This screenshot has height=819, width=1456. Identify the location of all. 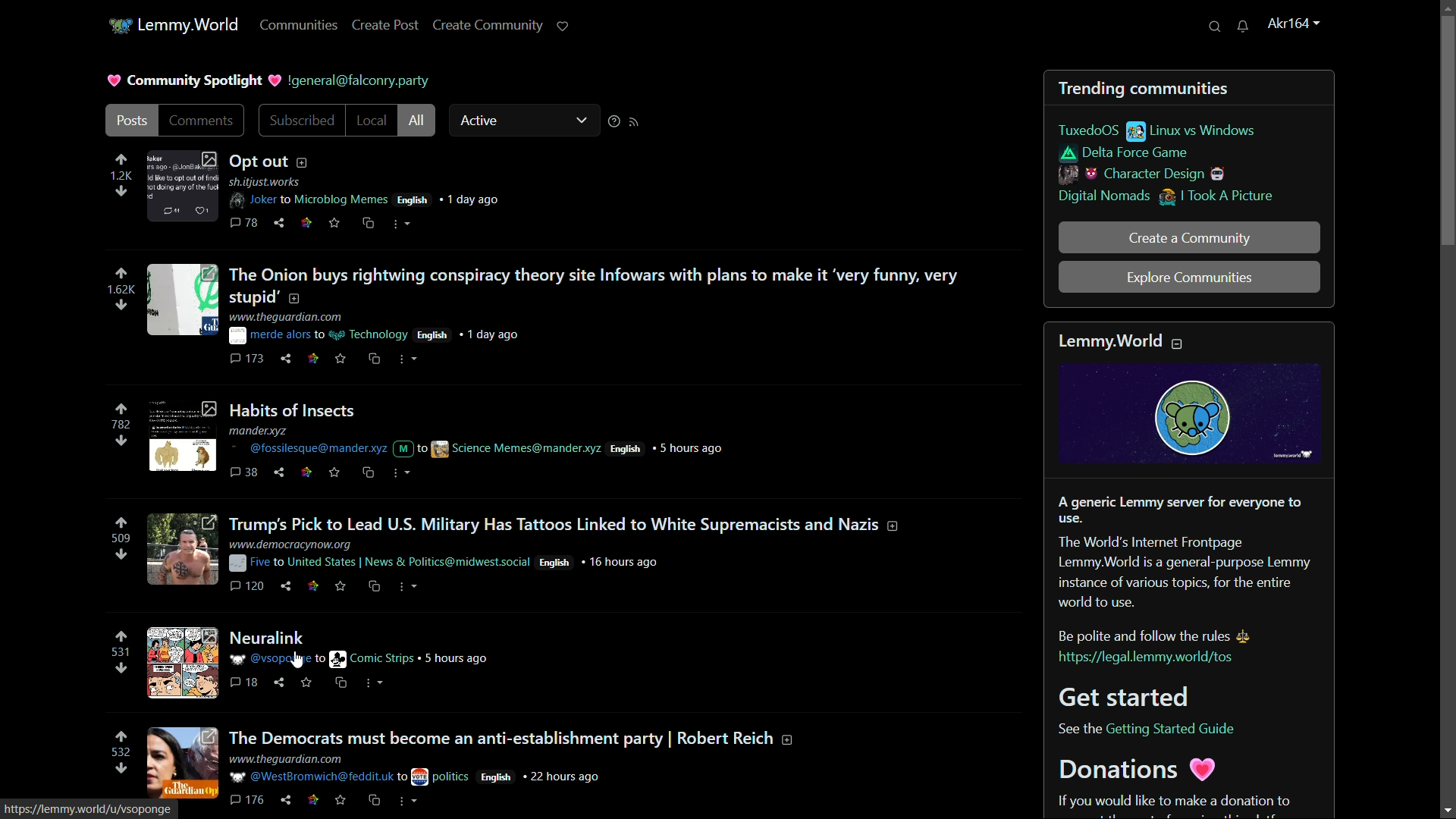
(419, 121).